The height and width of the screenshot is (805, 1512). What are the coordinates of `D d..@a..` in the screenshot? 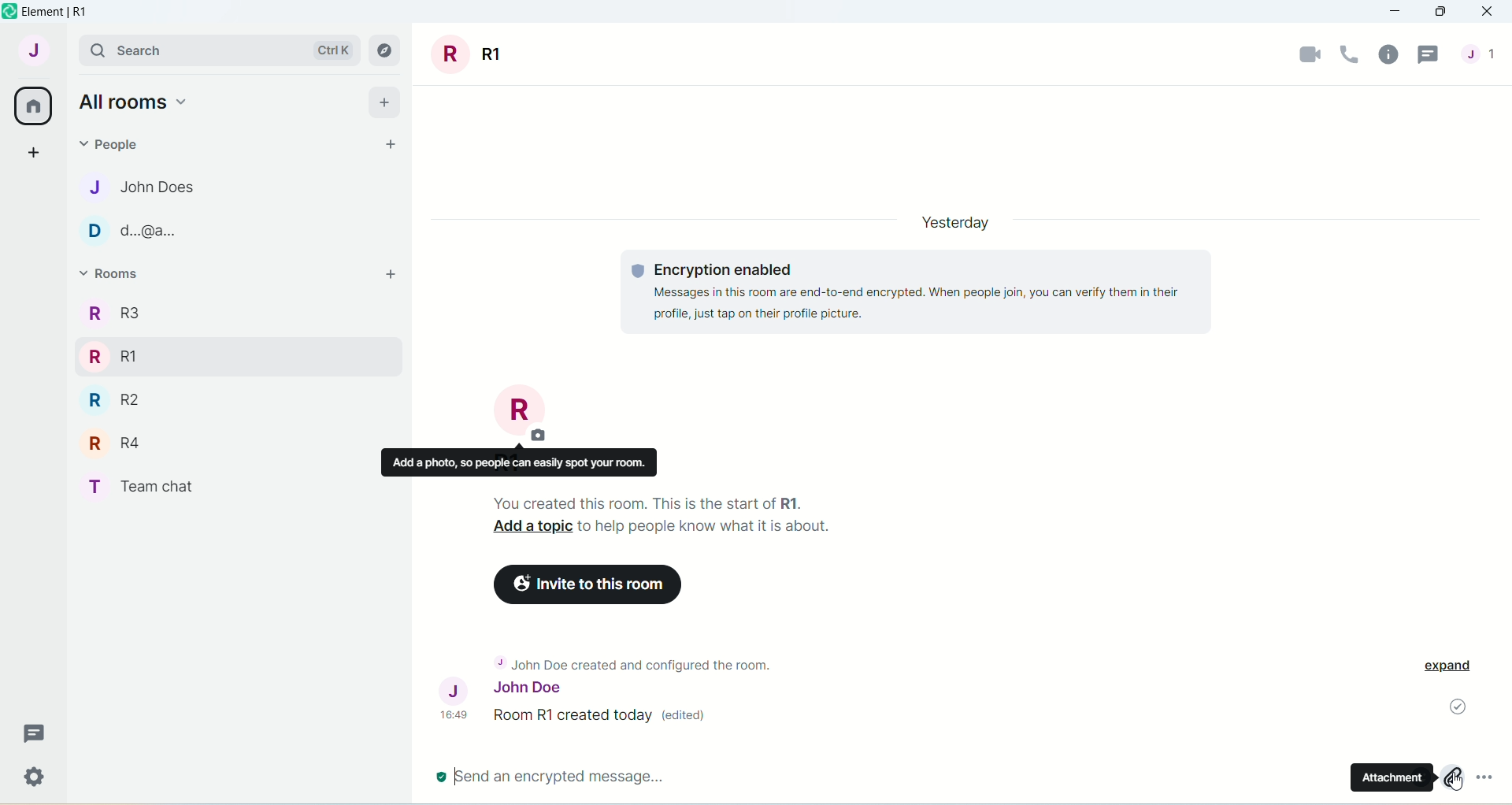 It's located at (131, 233).